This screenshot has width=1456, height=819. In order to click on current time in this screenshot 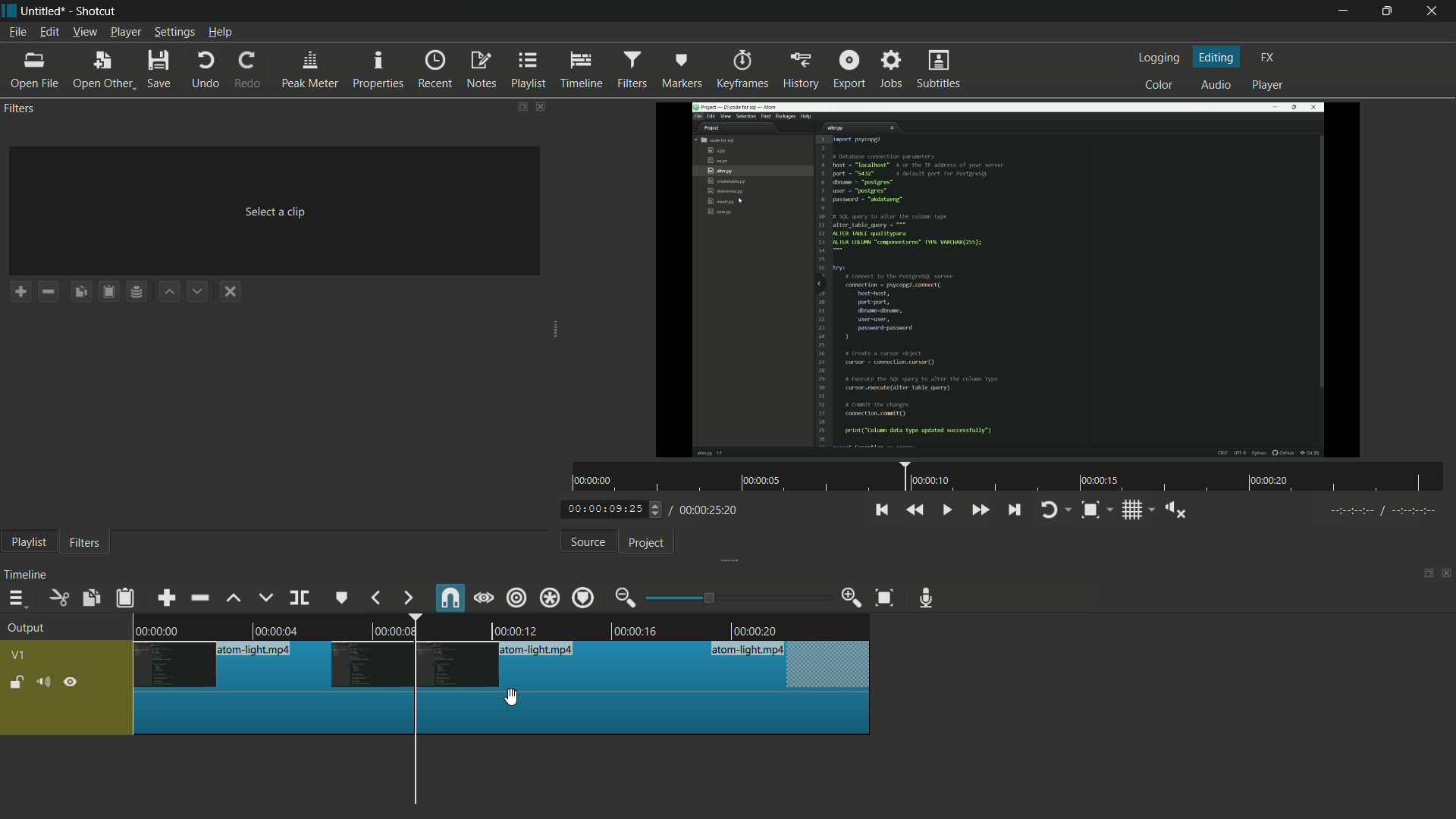, I will do `click(610, 510)`.